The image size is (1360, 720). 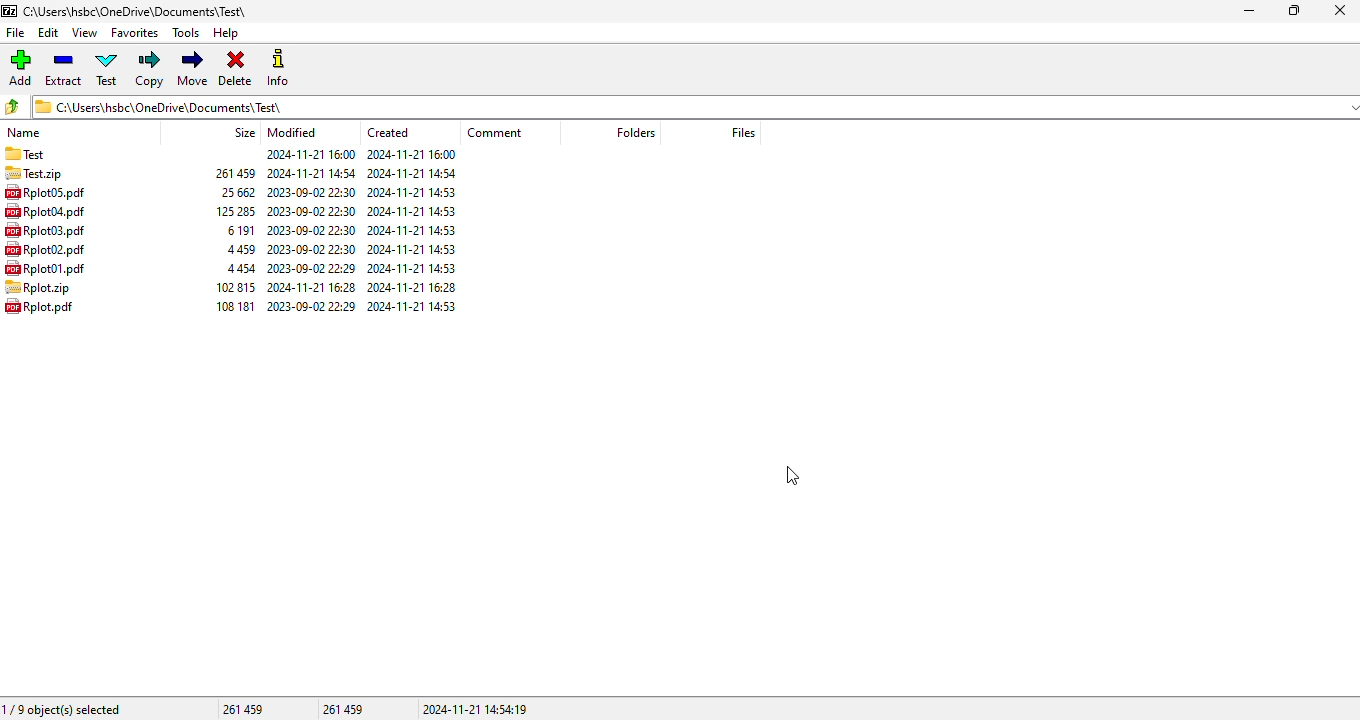 What do you see at coordinates (25, 153) in the screenshot?
I see `folder name` at bounding box center [25, 153].